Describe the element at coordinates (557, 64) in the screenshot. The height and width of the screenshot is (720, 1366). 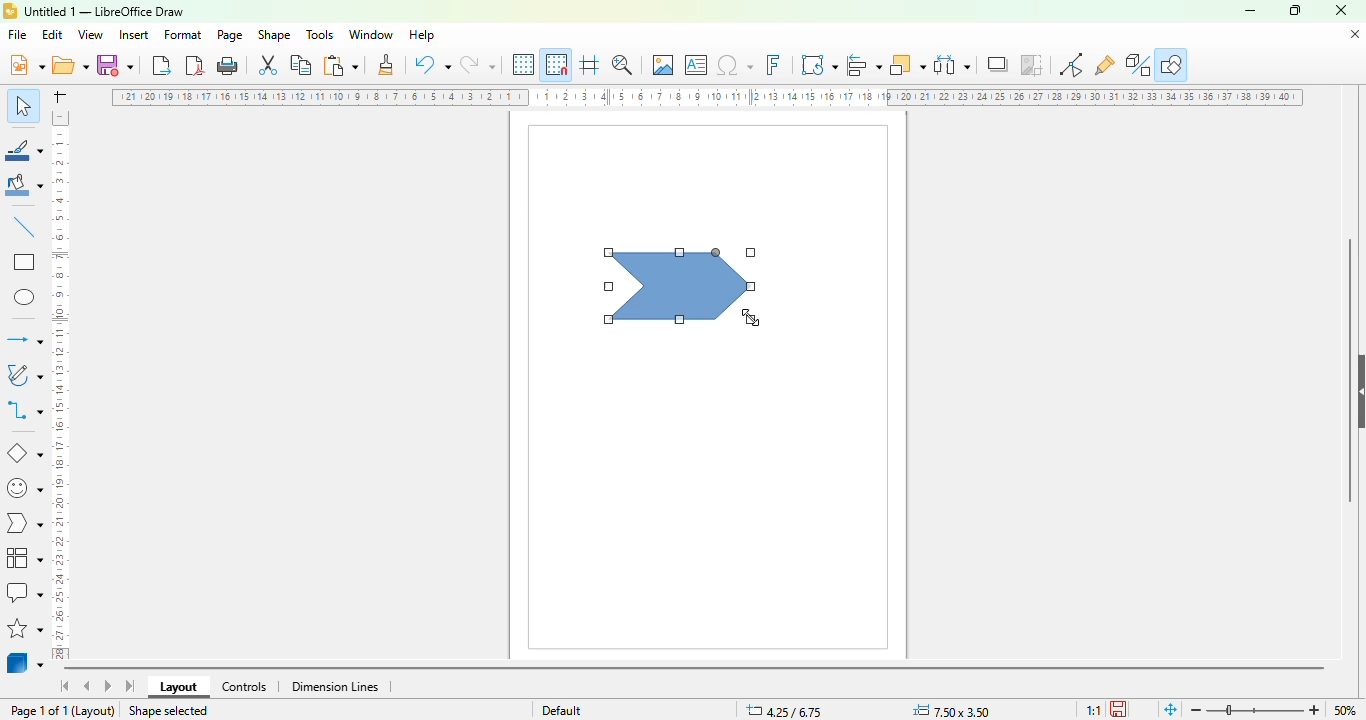
I see `snap to grid` at that location.